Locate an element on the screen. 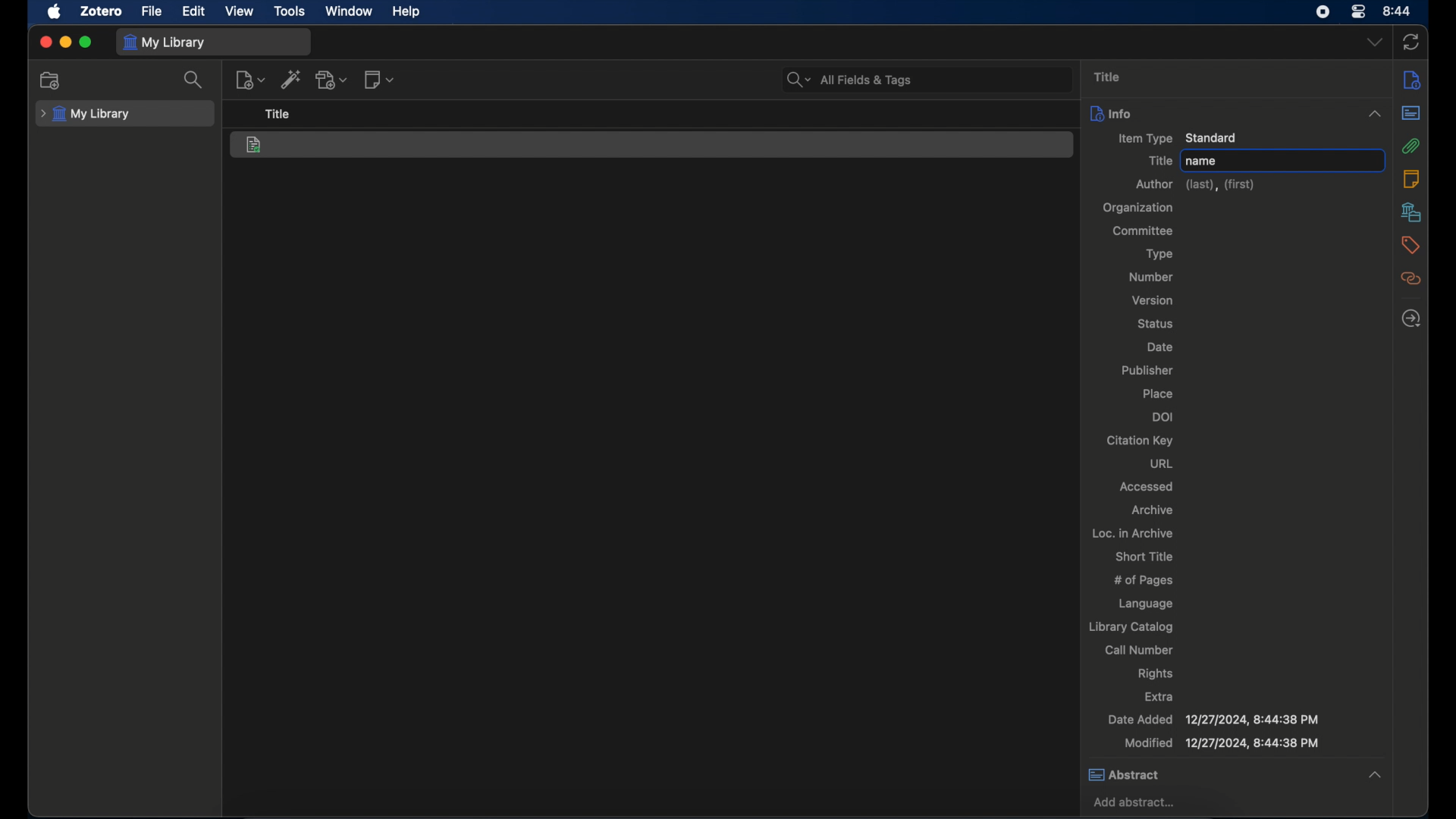 The width and height of the screenshot is (1456, 819). short title is located at coordinates (1143, 556).